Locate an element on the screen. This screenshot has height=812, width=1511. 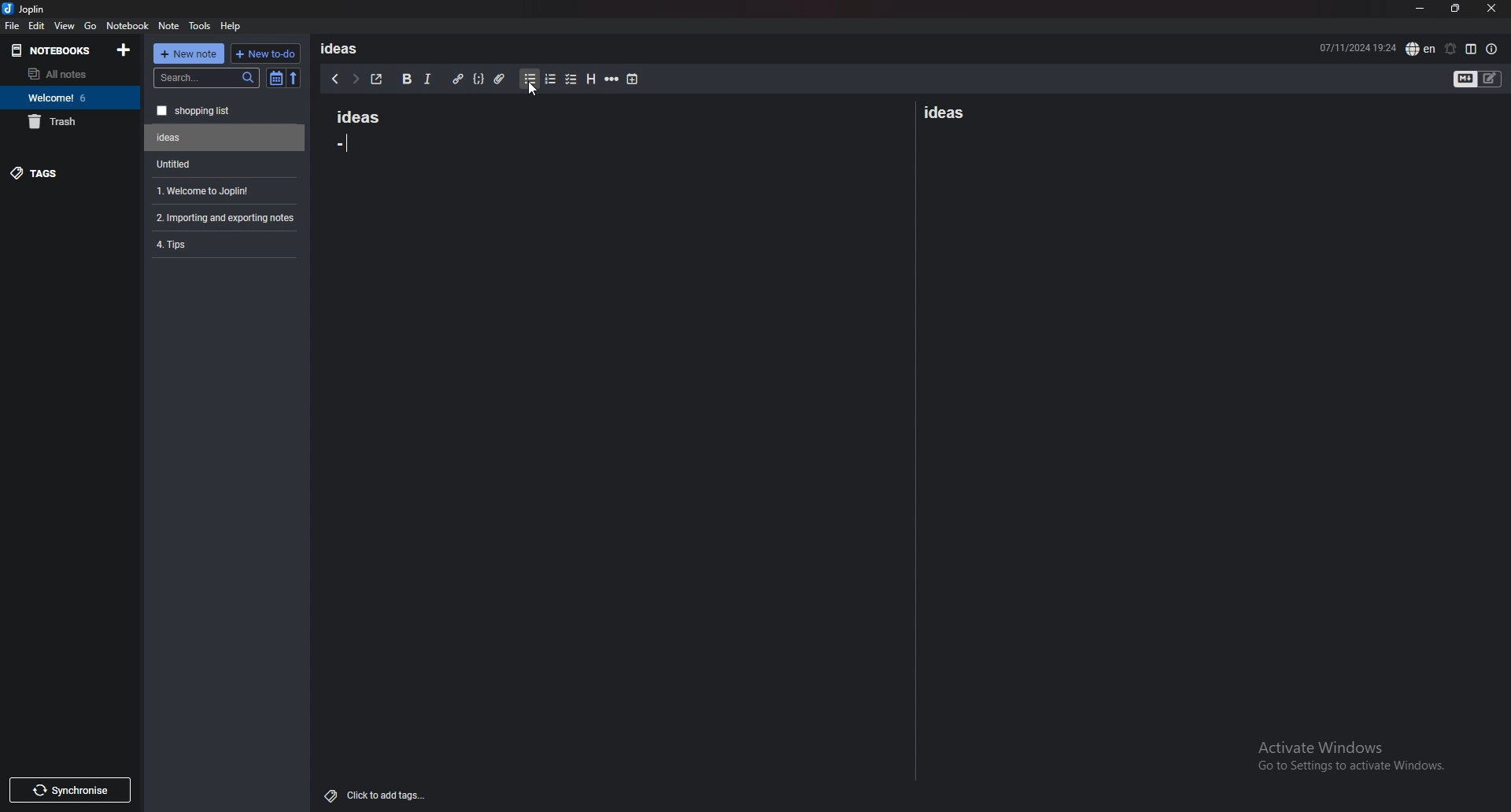
tags is located at coordinates (71, 172).